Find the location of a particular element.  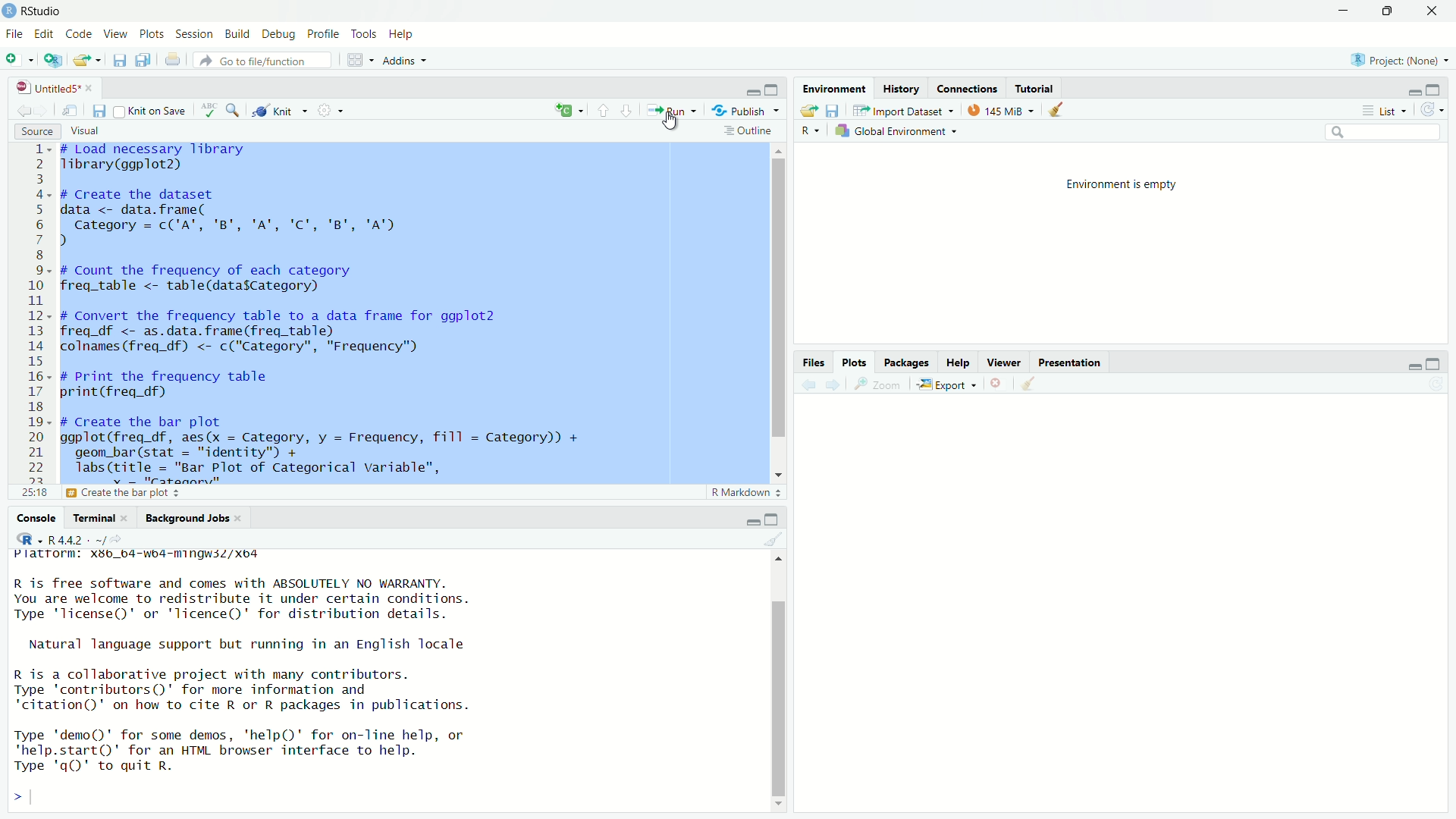

environment is empty is located at coordinates (1122, 184).